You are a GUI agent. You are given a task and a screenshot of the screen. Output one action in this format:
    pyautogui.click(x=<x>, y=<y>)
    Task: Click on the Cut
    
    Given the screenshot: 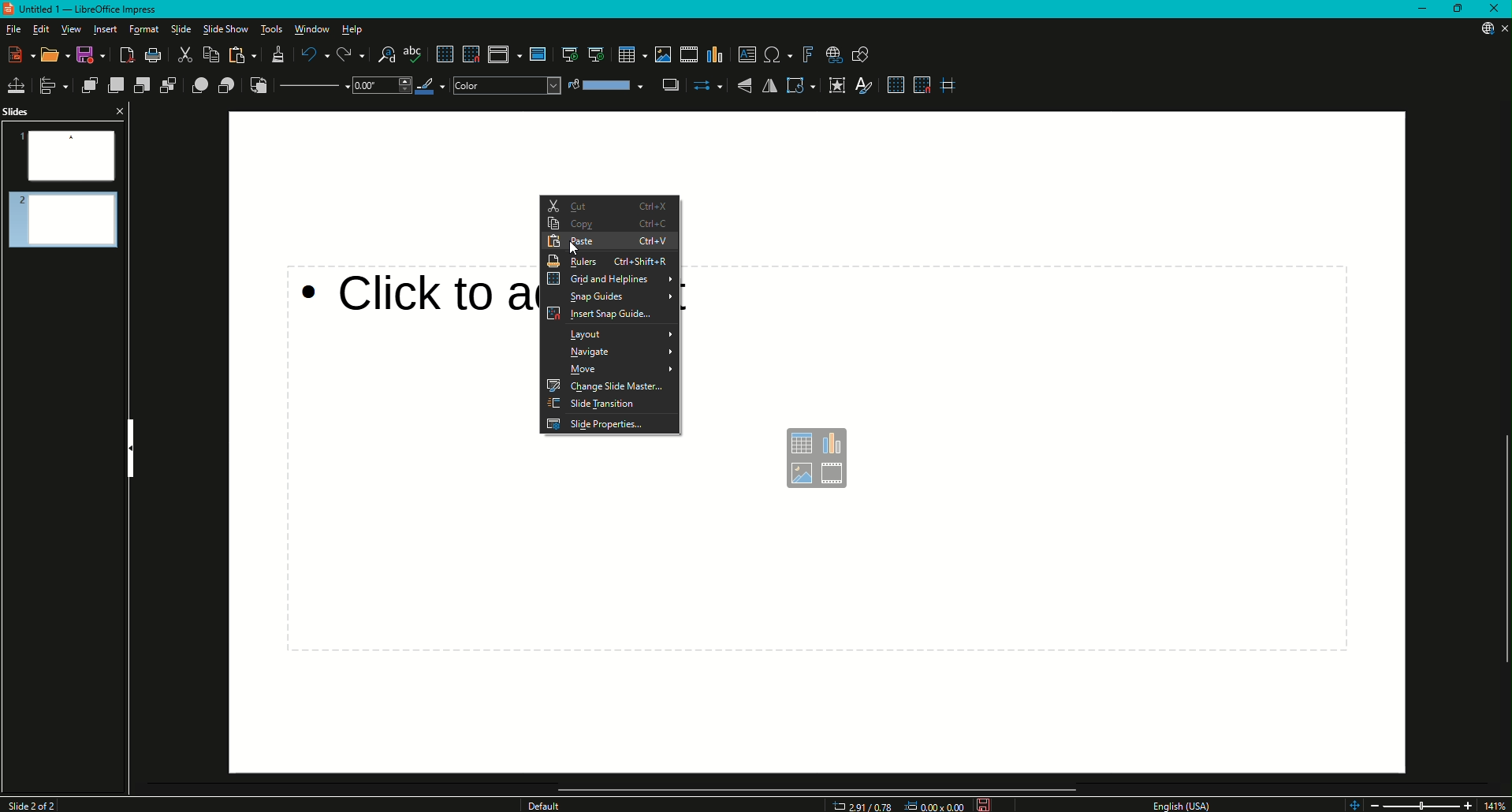 What is the action you would take?
    pyautogui.click(x=181, y=55)
    